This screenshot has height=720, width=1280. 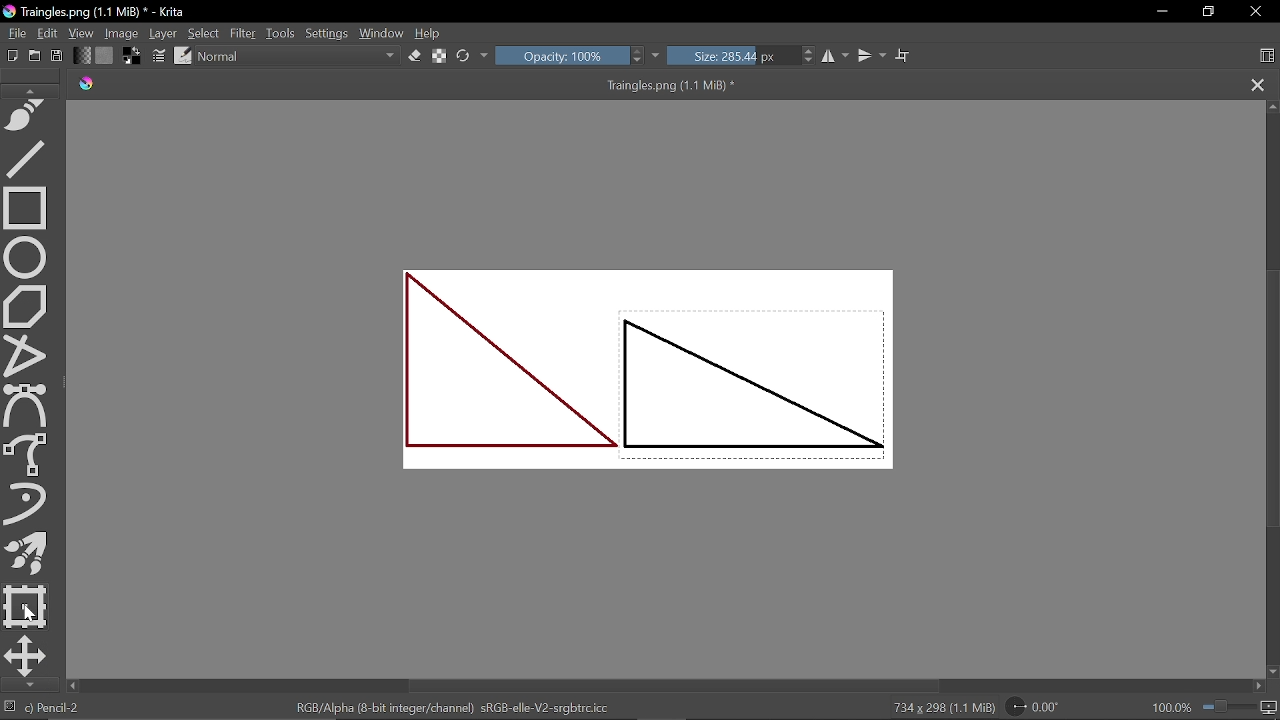 What do you see at coordinates (428, 34) in the screenshot?
I see `Help` at bounding box center [428, 34].